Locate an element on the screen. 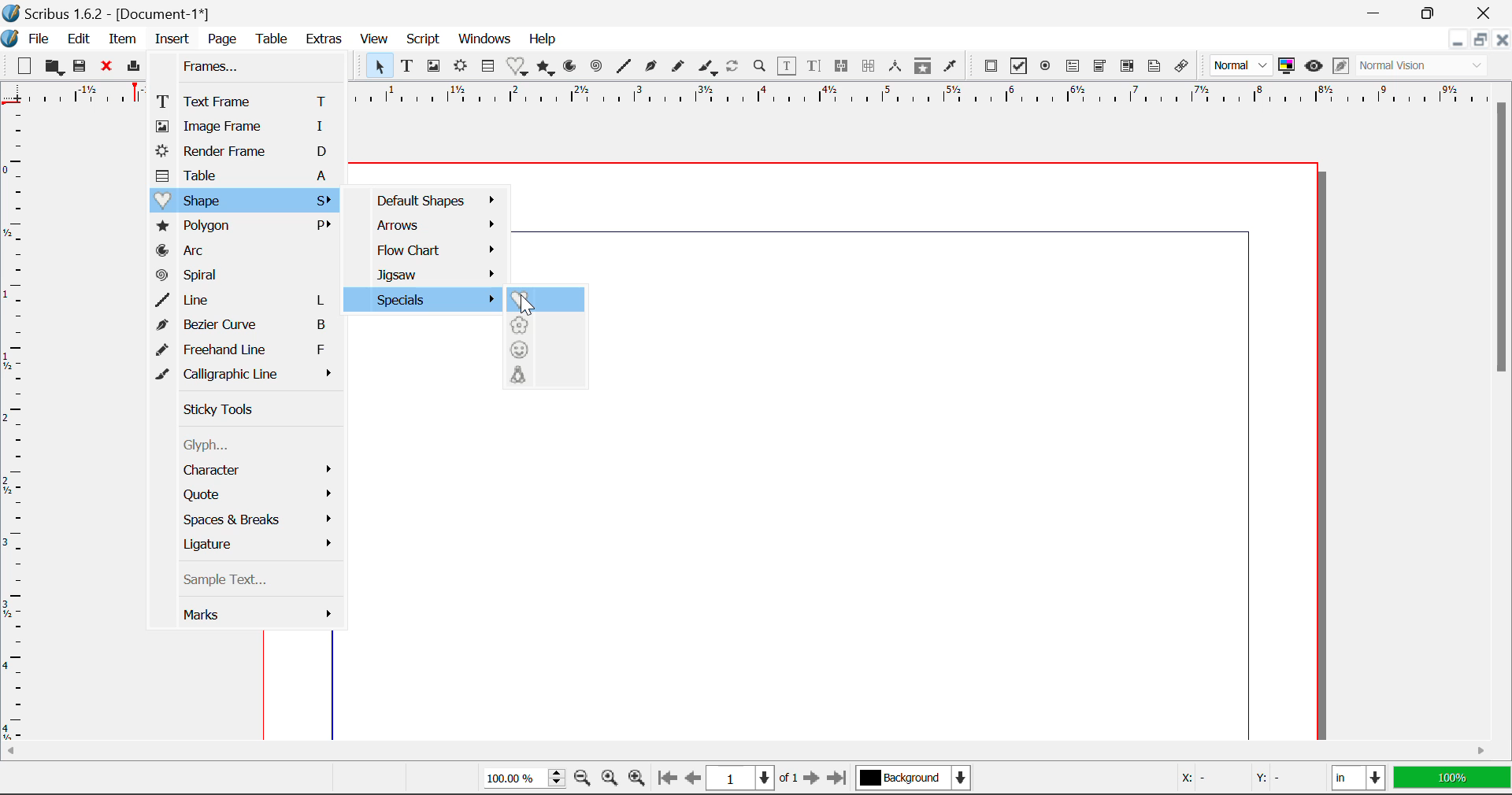  Link Text Frames is located at coordinates (844, 65).